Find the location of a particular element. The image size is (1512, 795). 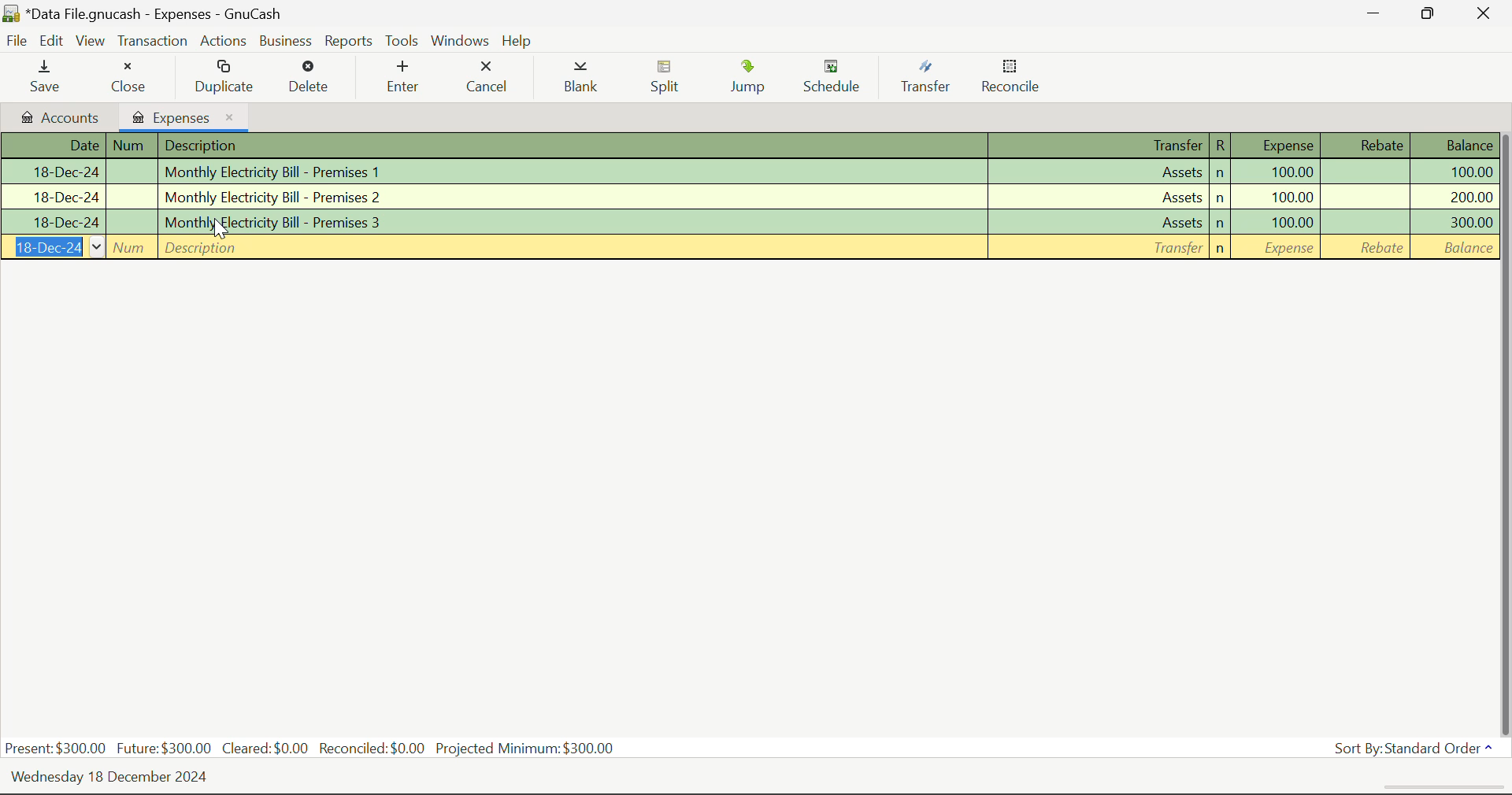

Jump  is located at coordinates (755, 79).